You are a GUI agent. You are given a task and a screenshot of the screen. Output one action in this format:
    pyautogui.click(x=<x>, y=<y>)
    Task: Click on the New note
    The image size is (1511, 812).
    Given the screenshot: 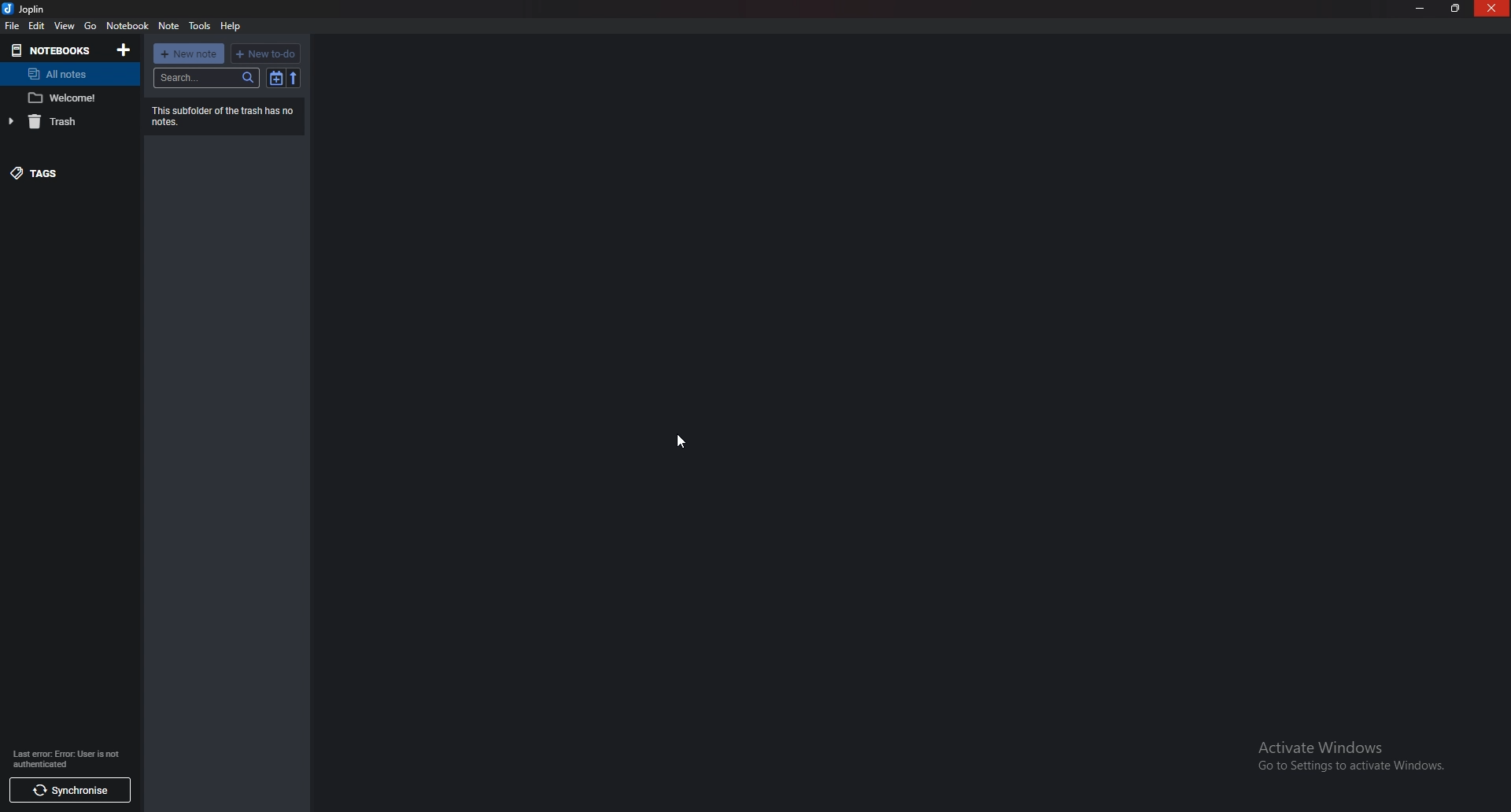 What is the action you would take?
    pyautogui.click(x=190, y=54)
    